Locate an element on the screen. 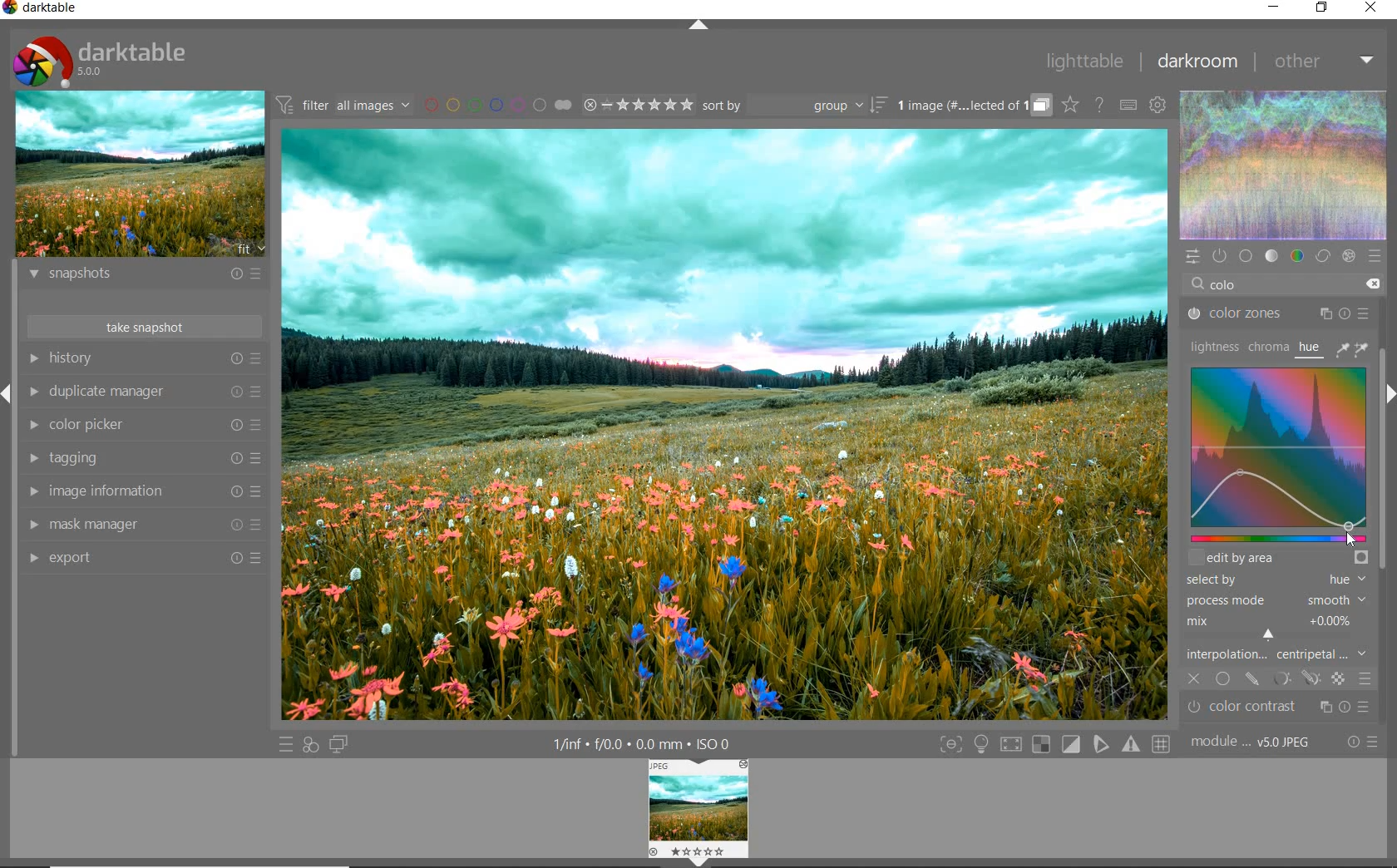 This screenshot has width=1397, height=868. edit by area is located at coordinates (1278, 557).